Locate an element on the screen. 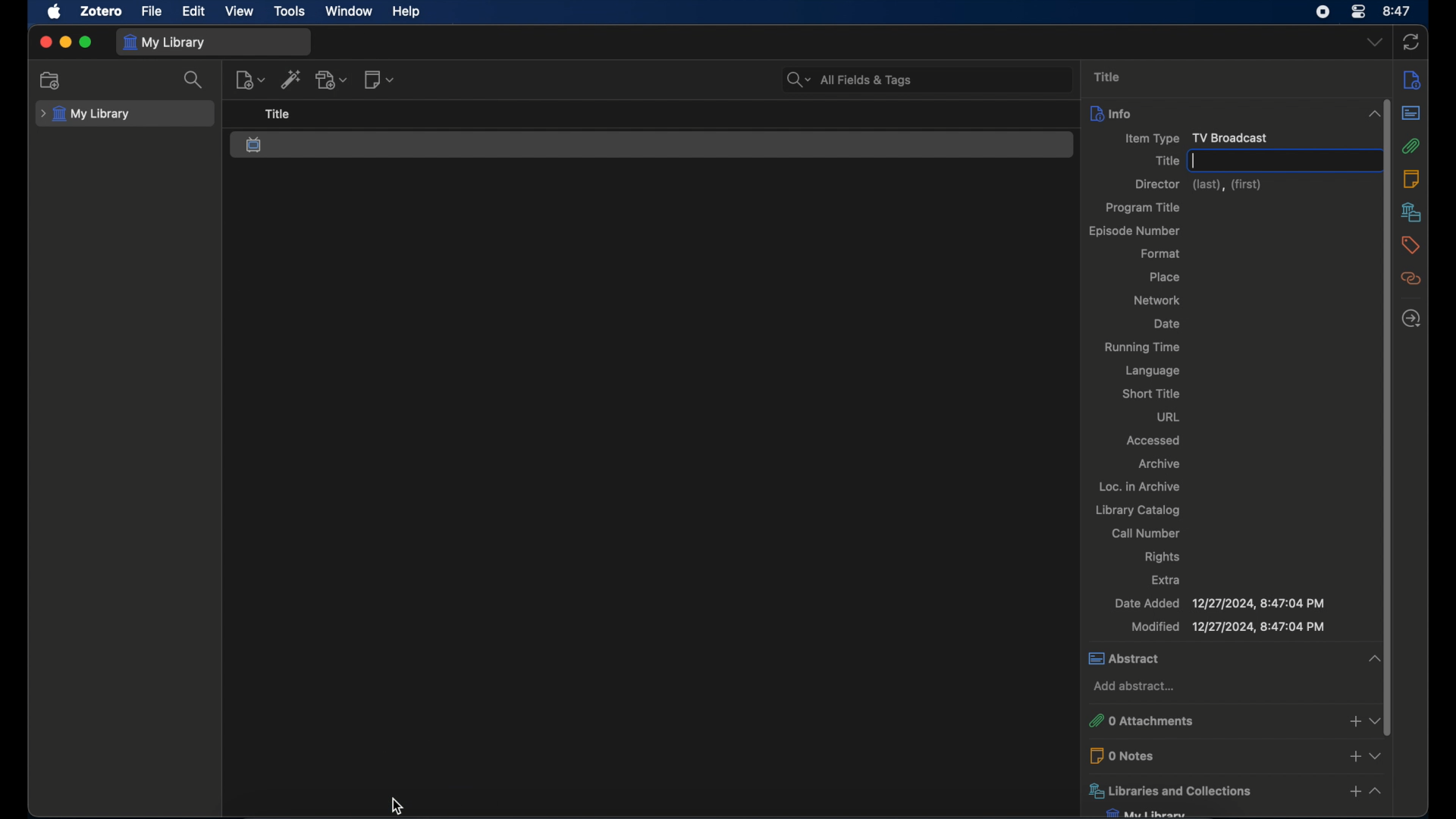 This screenshot has width=1456, height=819. language is located at coordinates (1150, 371).